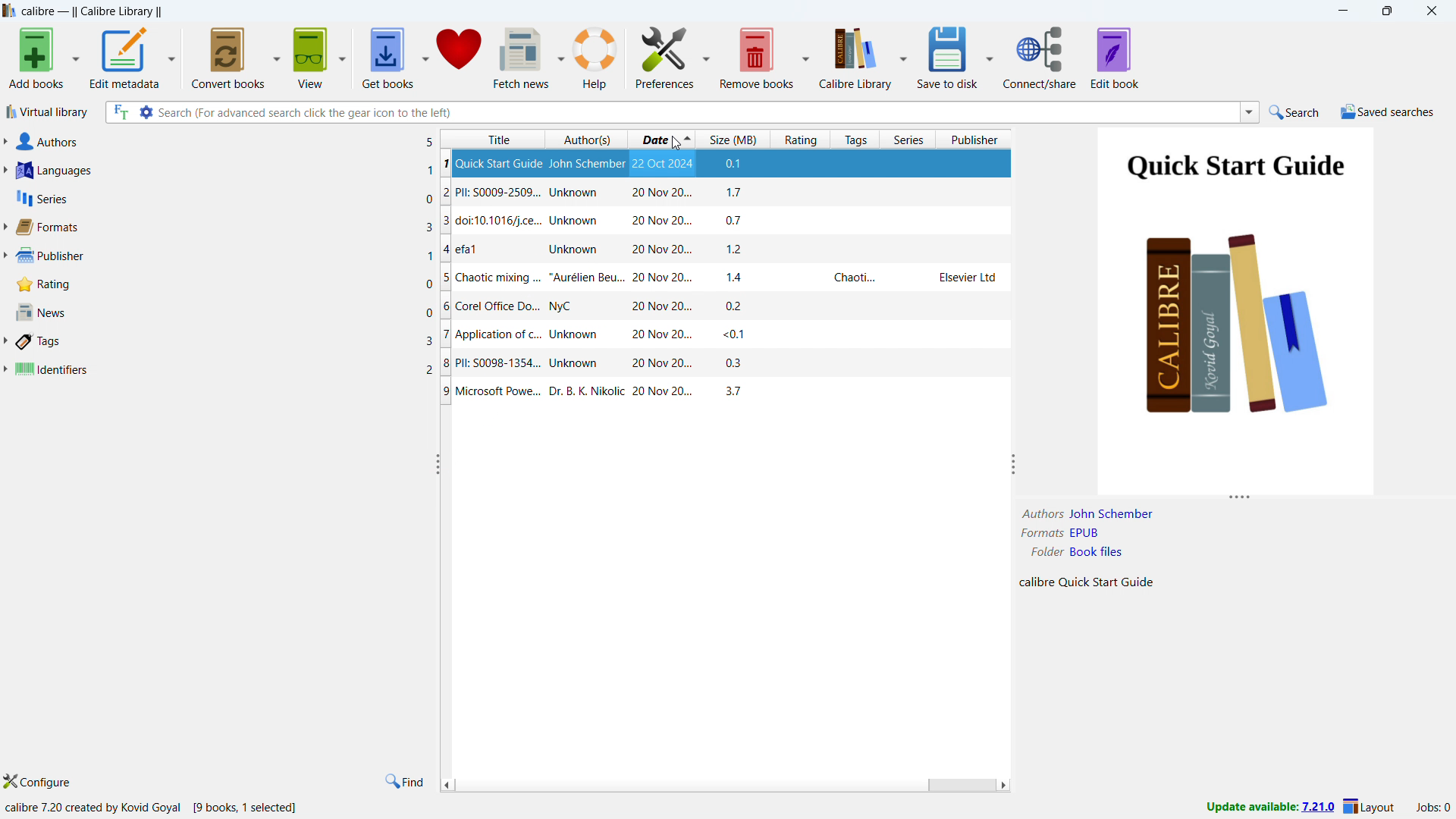 This screenshot has height=819, width=1456. Describe the element at coordinates (741, 335) in the screenshot. I see `1.4` at that location.